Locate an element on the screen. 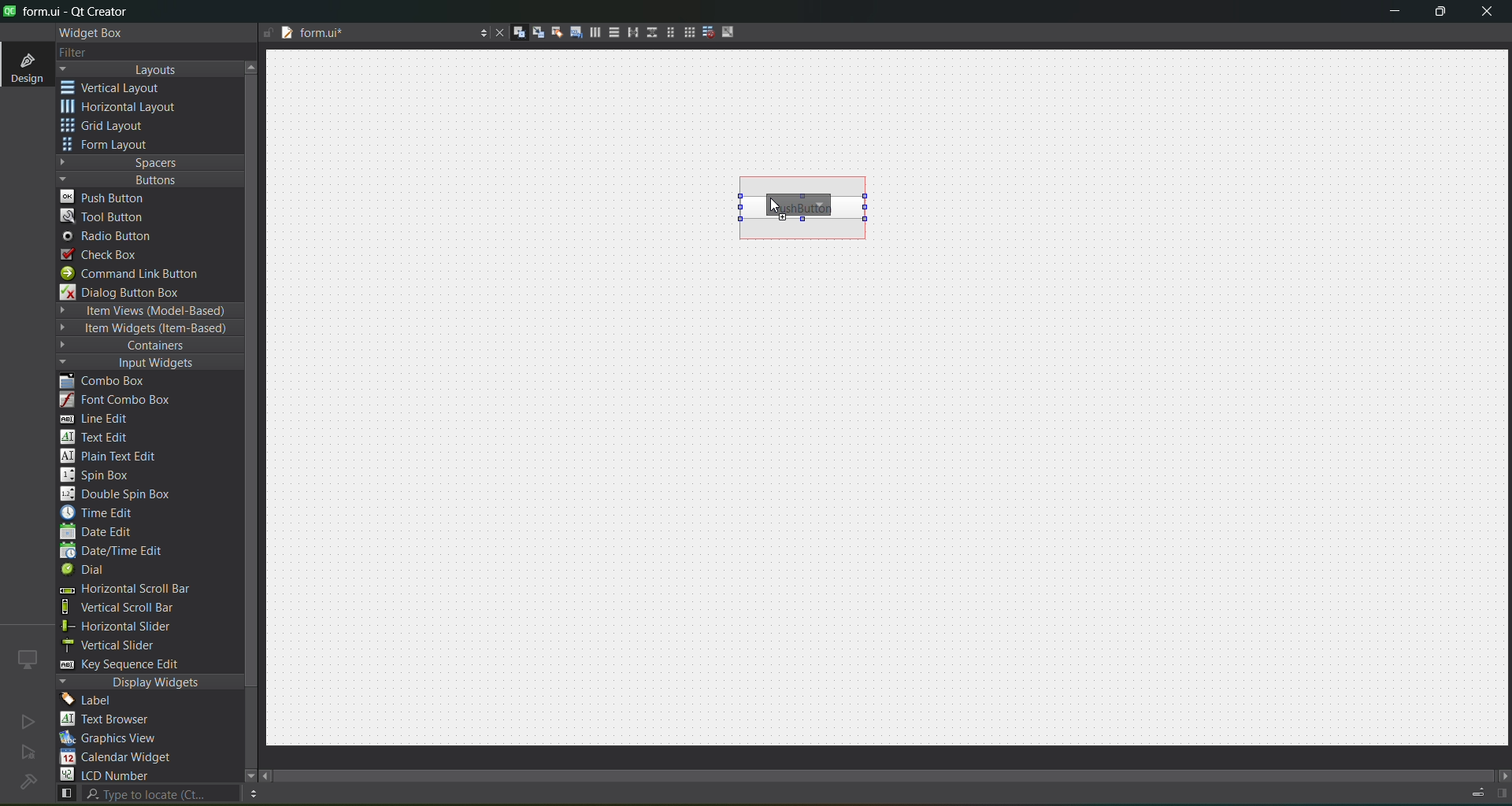 The width and height of the screenshot is (1512, 806). horizontal is located at coordinates (122, 109).